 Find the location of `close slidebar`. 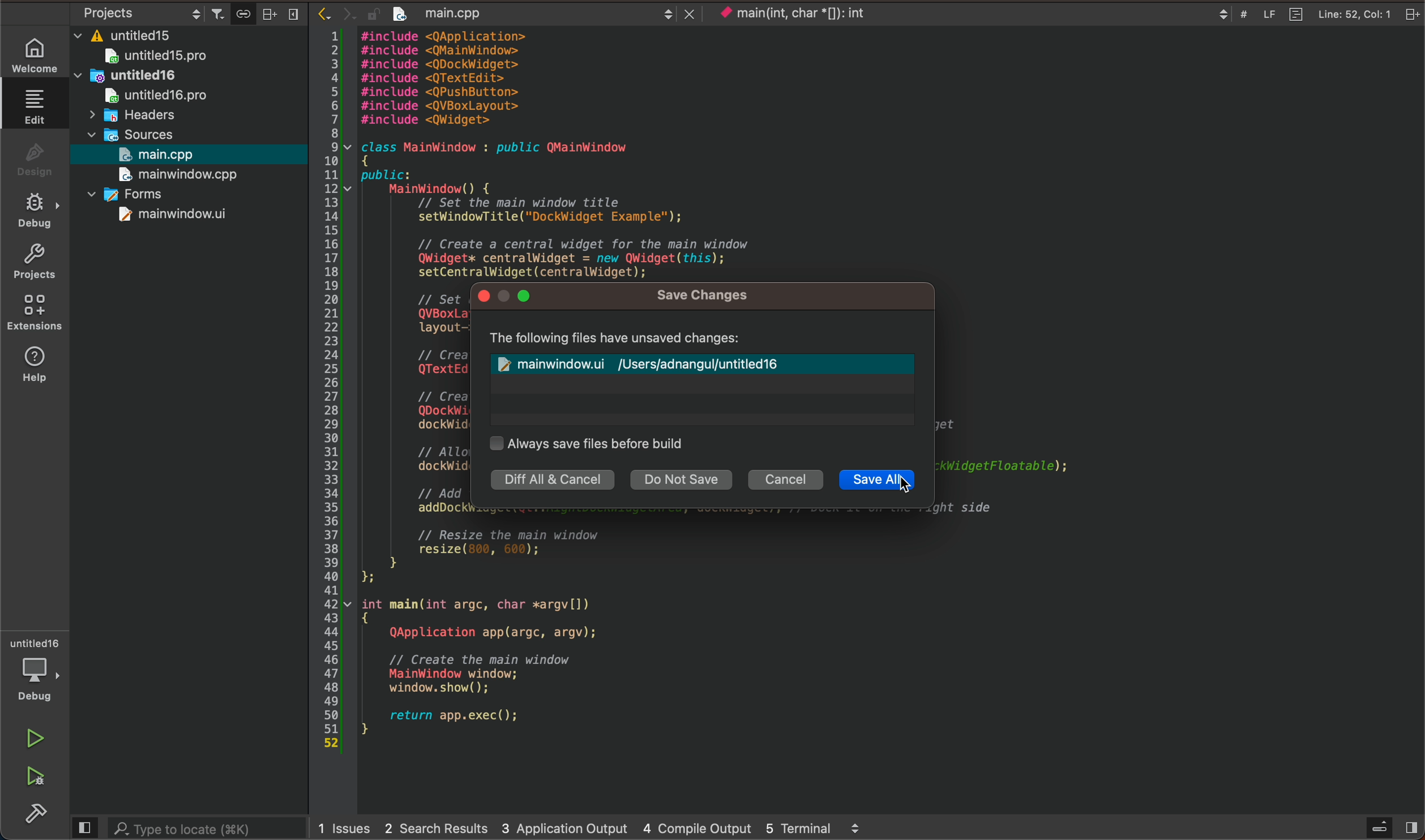

close slidebar is located at coordinates (84, 827).